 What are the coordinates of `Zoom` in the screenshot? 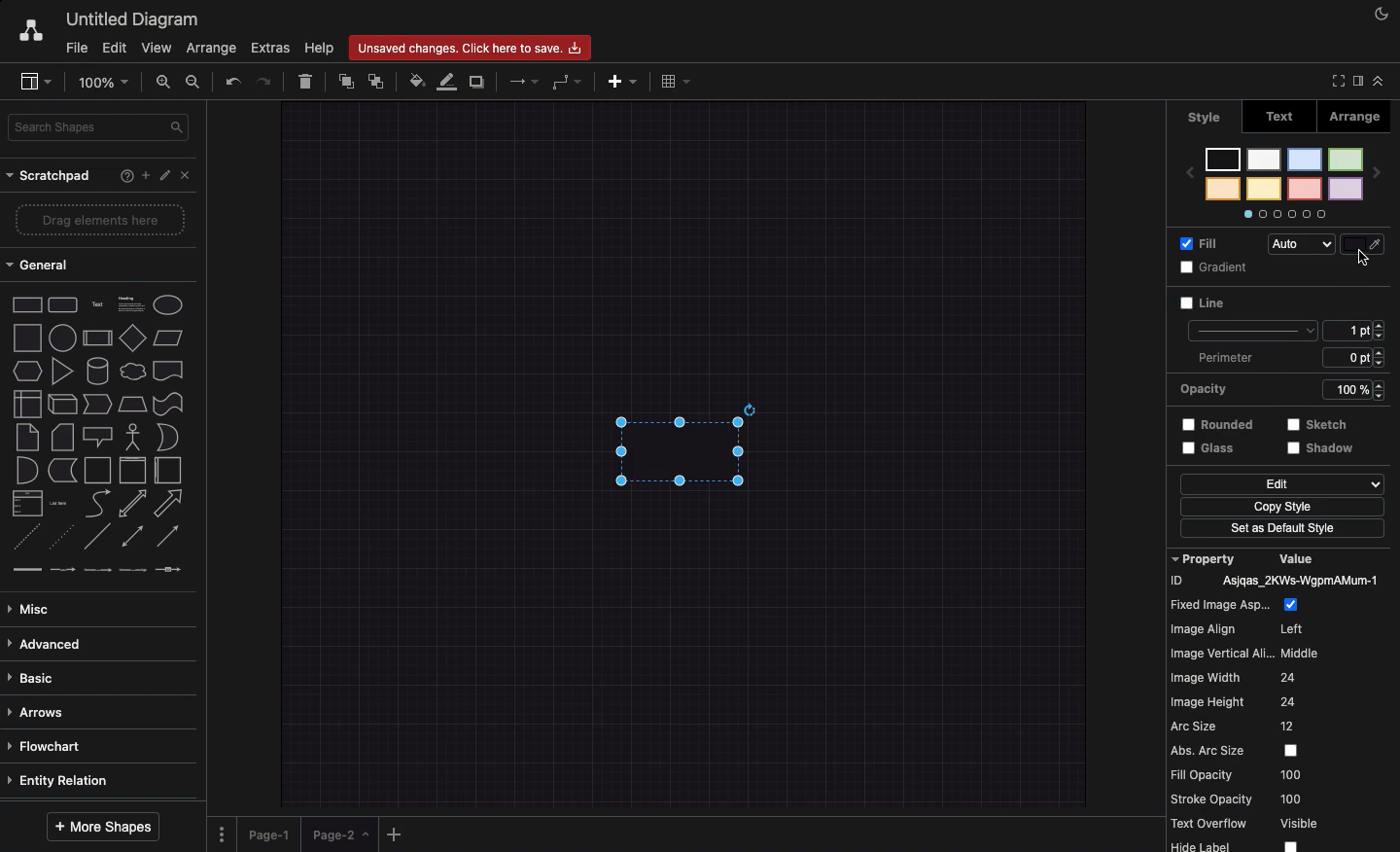 It's located at (108, 81).